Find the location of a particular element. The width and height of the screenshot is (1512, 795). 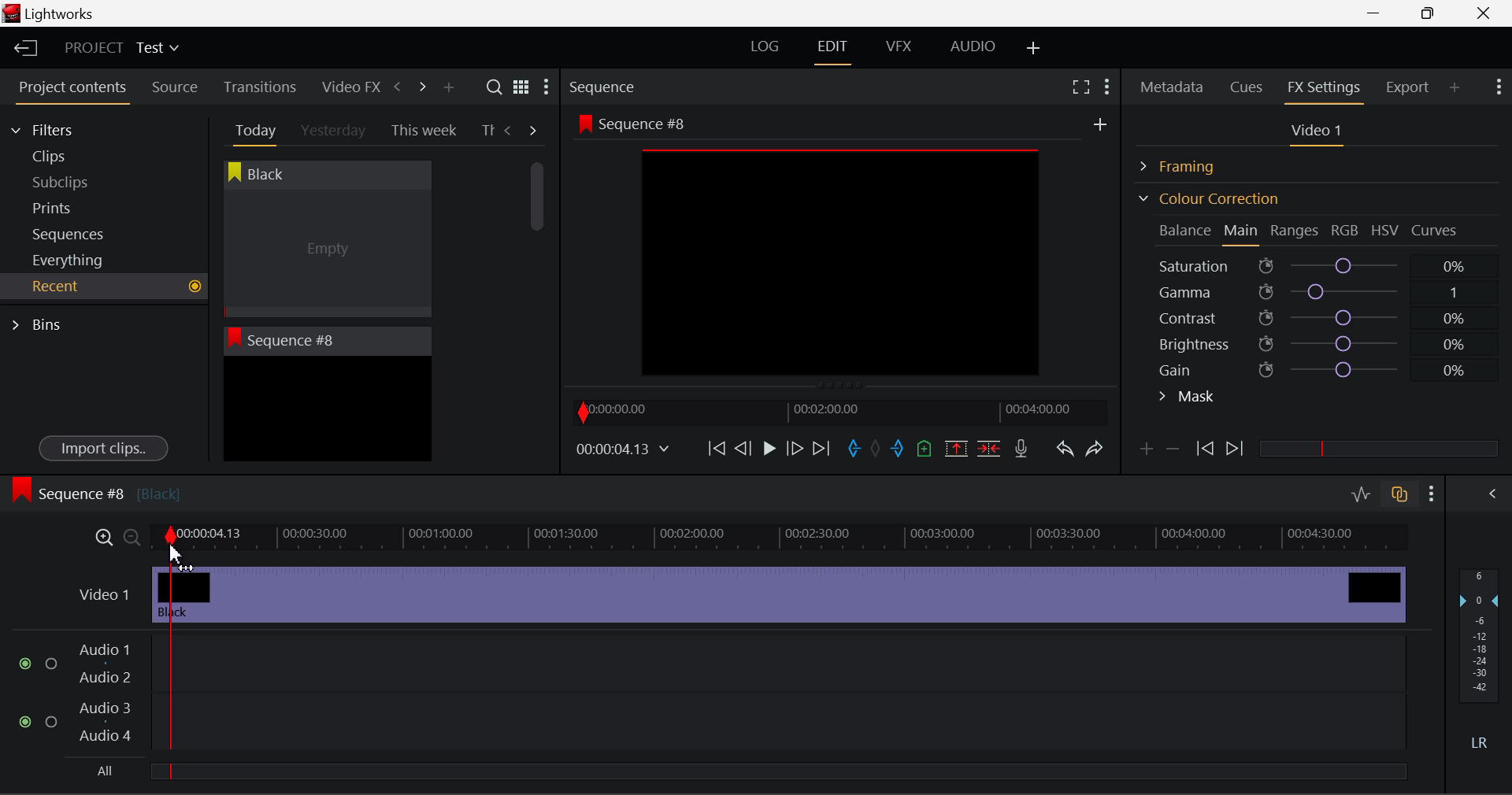

slider is located at coordinates (777, 771).